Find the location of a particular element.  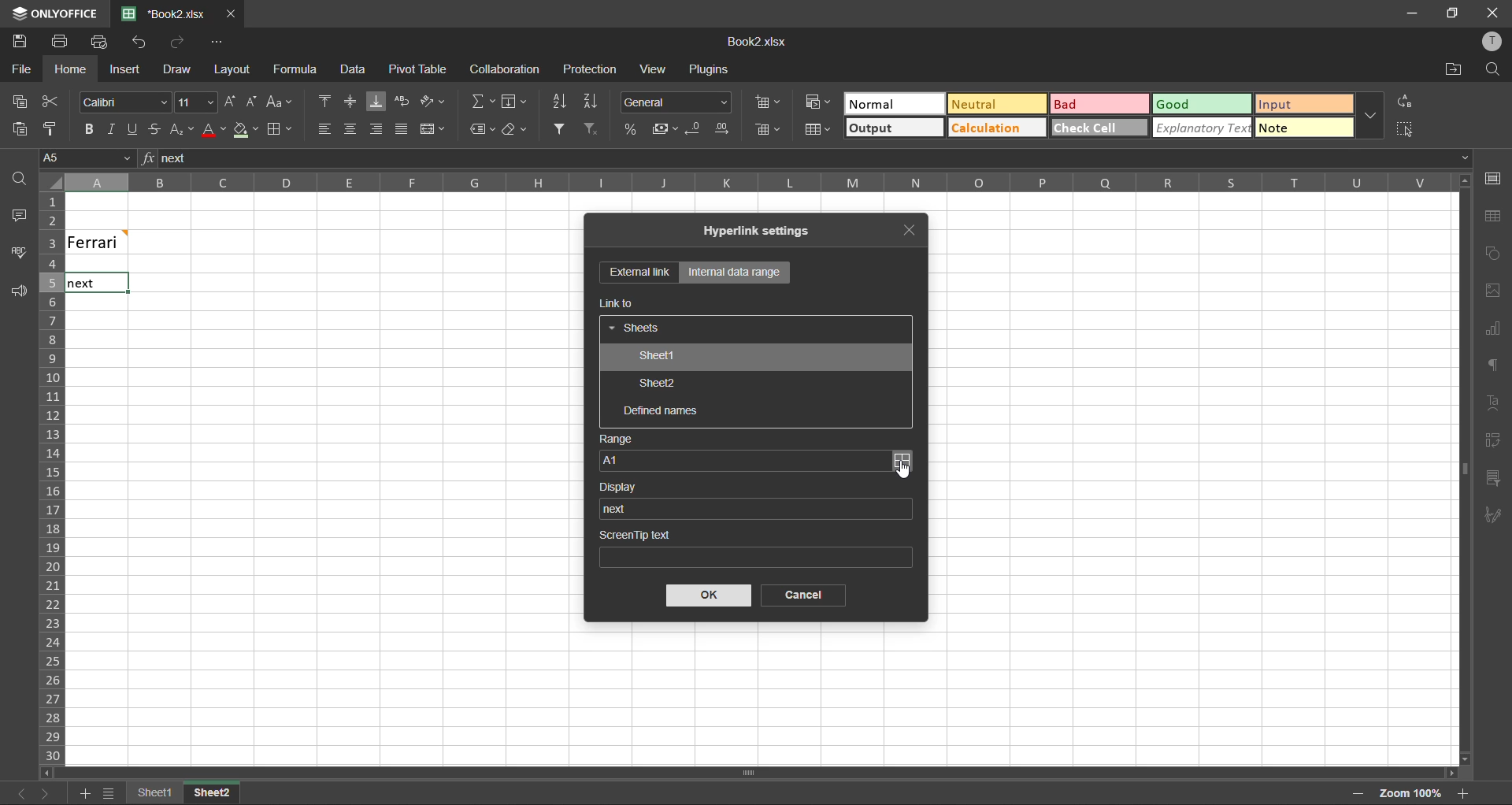

charts is located at coordinates (1492, 329).